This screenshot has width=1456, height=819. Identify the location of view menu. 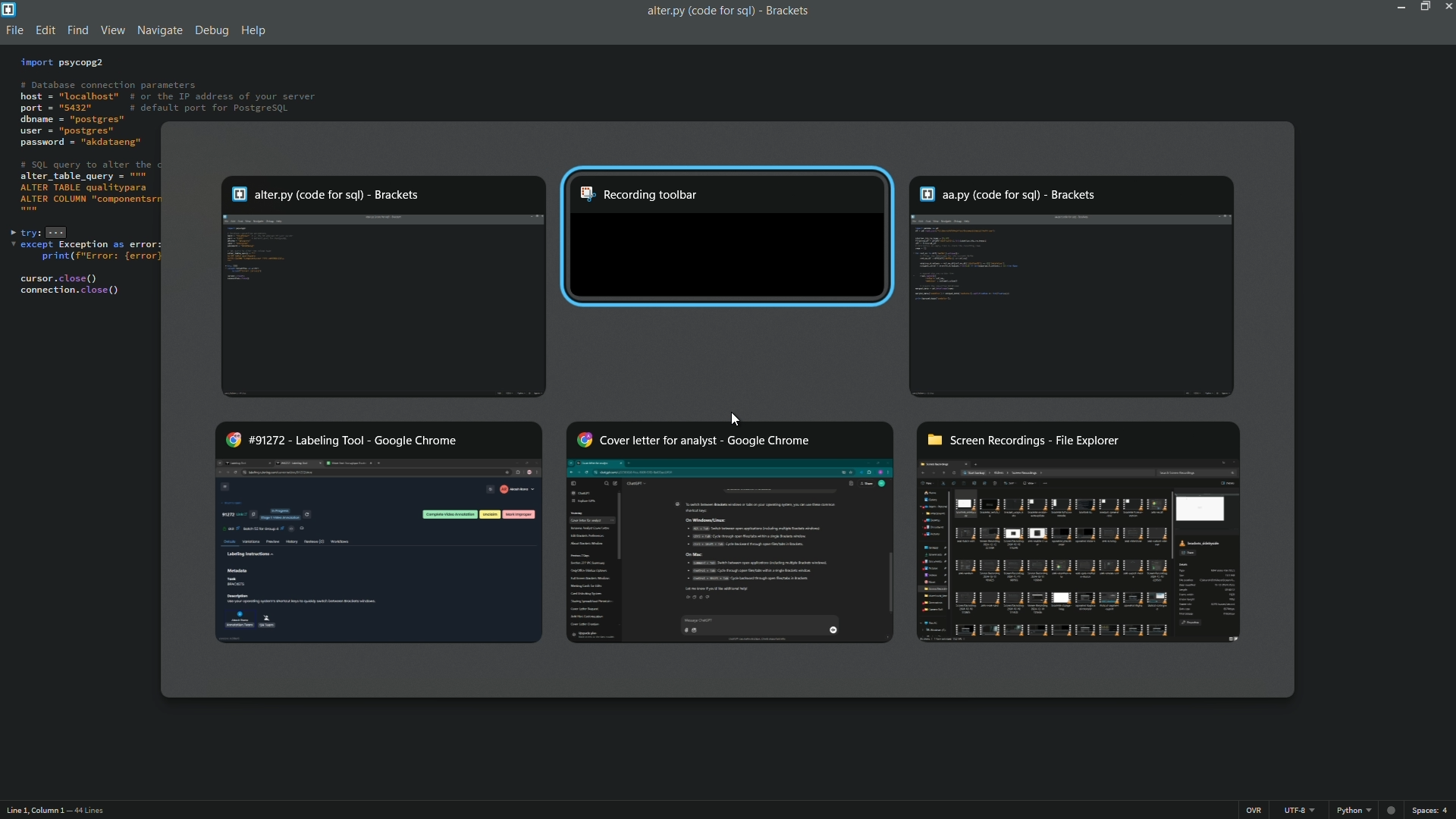
(108, 31).